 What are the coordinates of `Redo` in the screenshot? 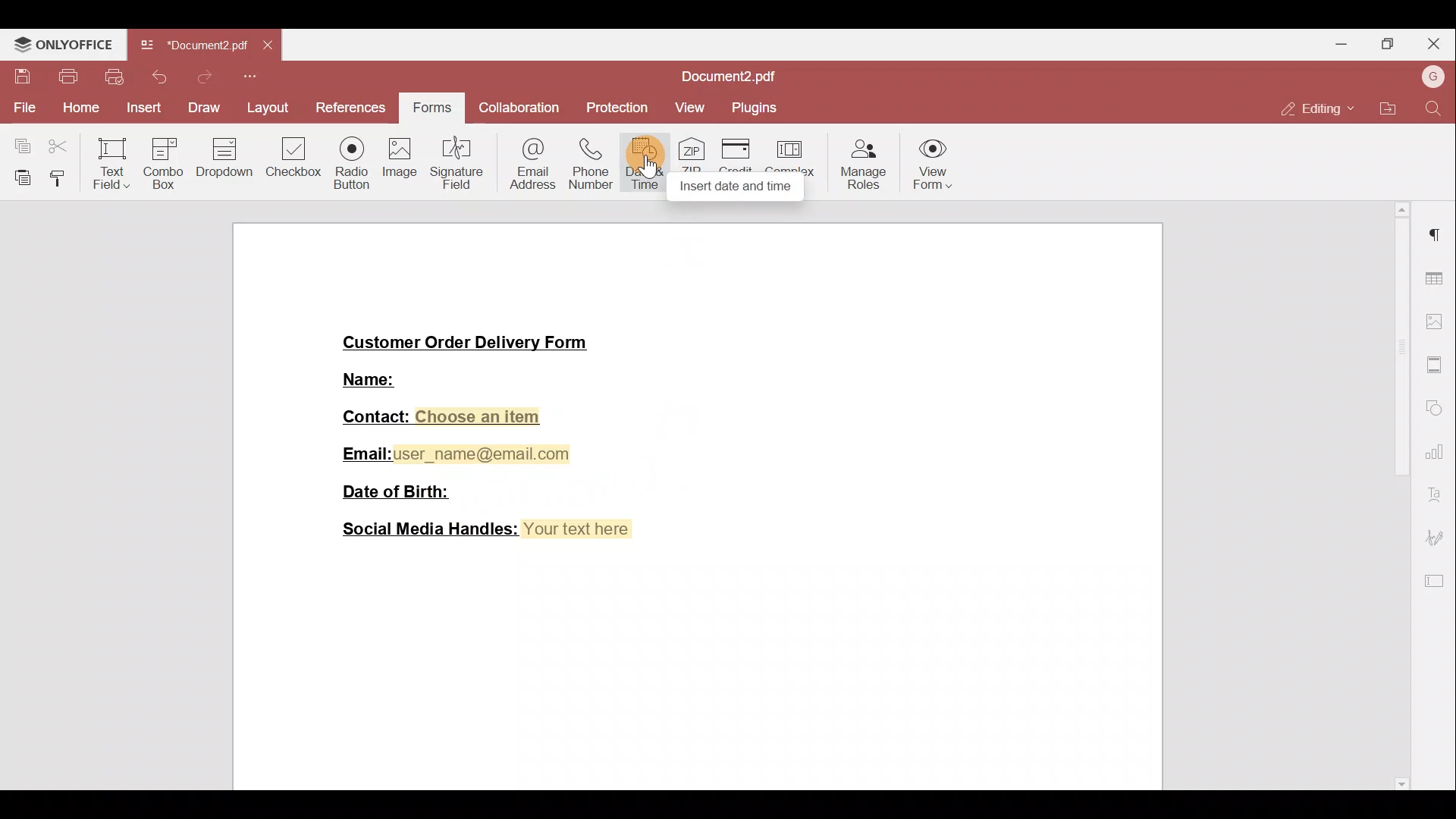 It's located at (199, 81).